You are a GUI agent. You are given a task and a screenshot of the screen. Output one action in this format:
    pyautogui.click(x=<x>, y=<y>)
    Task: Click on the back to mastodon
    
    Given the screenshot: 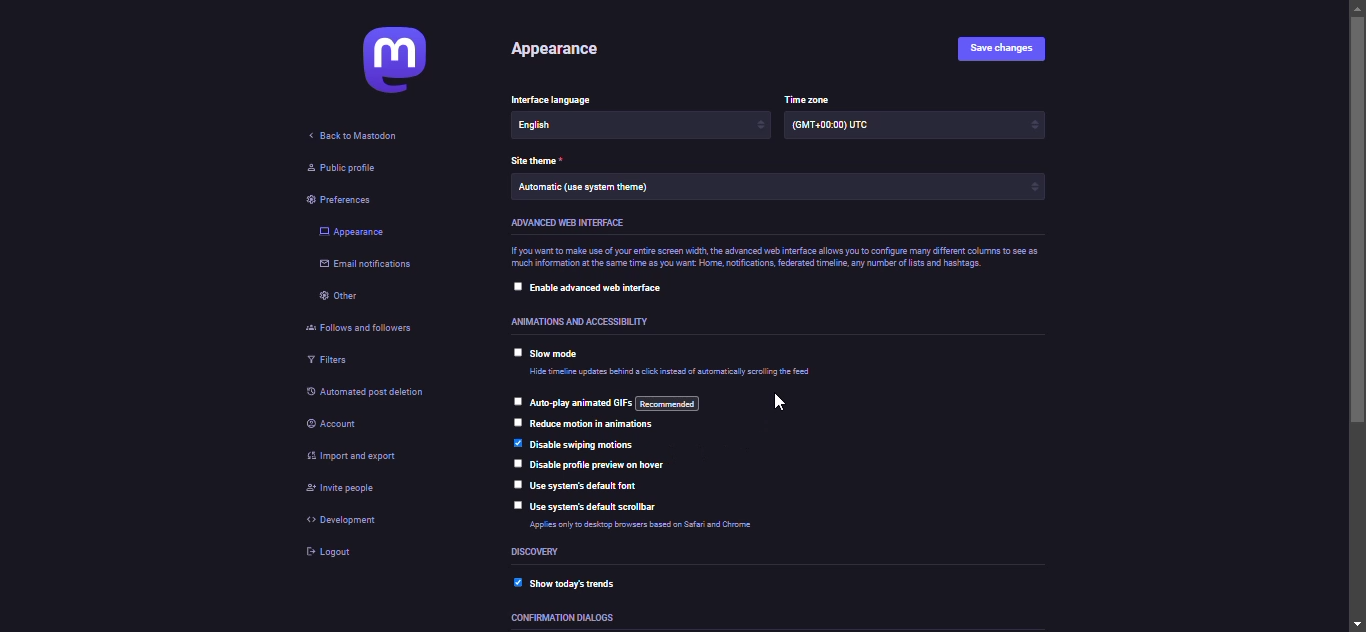 What is the action you would take?
    pyautogui.click(x=355, y=136)
    